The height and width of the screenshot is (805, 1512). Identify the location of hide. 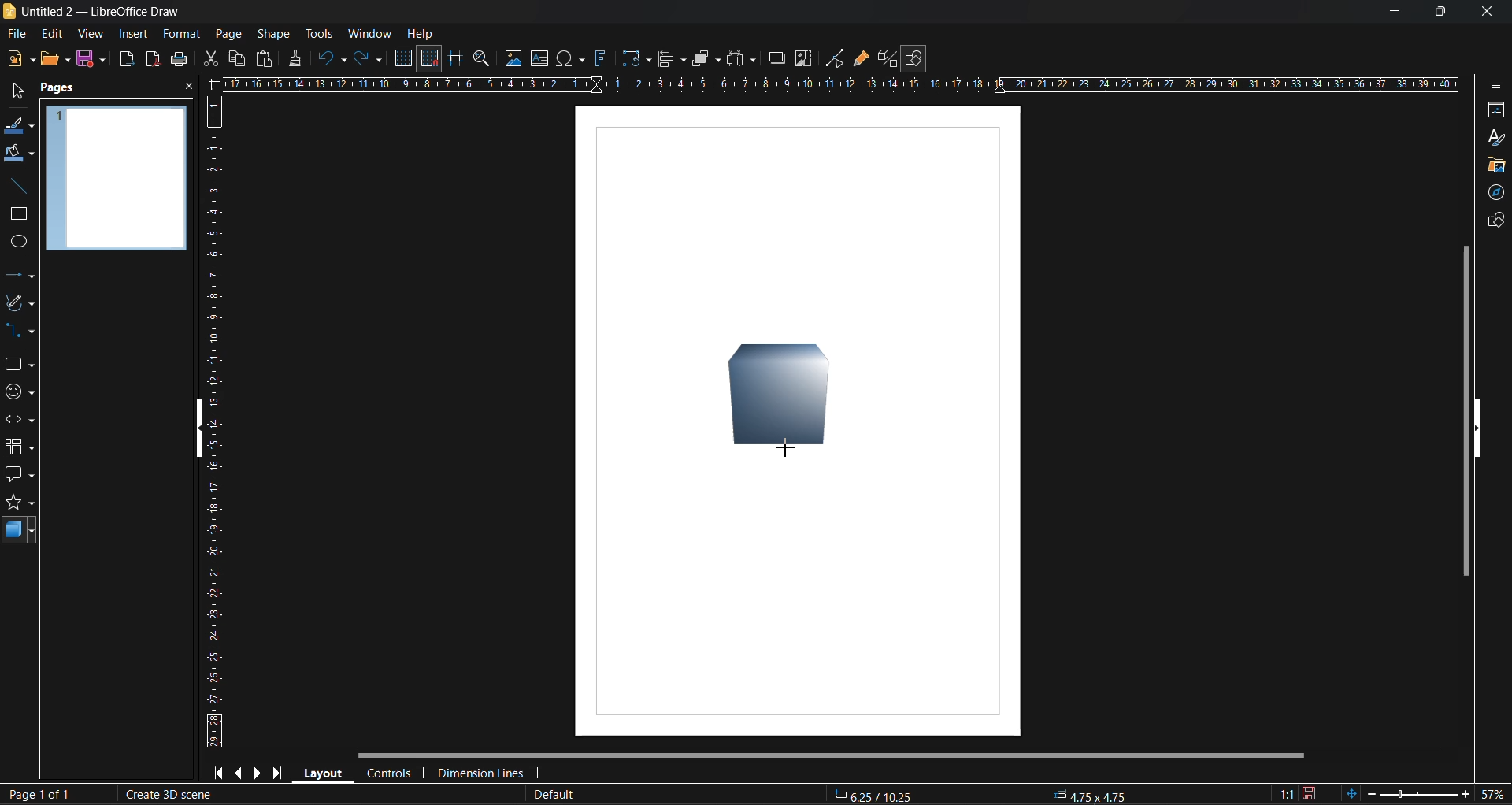
(206, 429).